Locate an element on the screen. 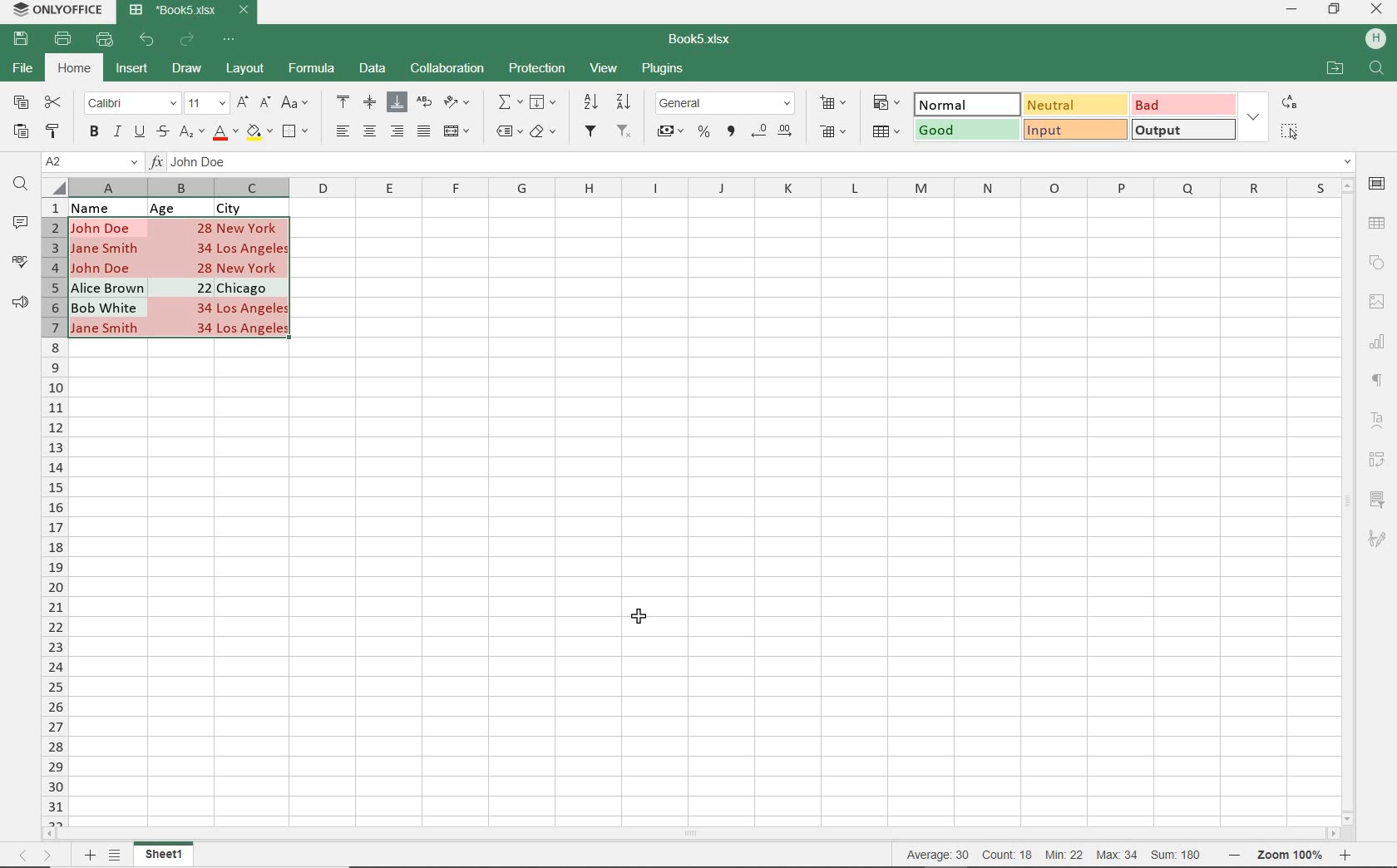 The width and height of the screenshot is (1397, 868). CLEAR is located at coordinates (542, 134).